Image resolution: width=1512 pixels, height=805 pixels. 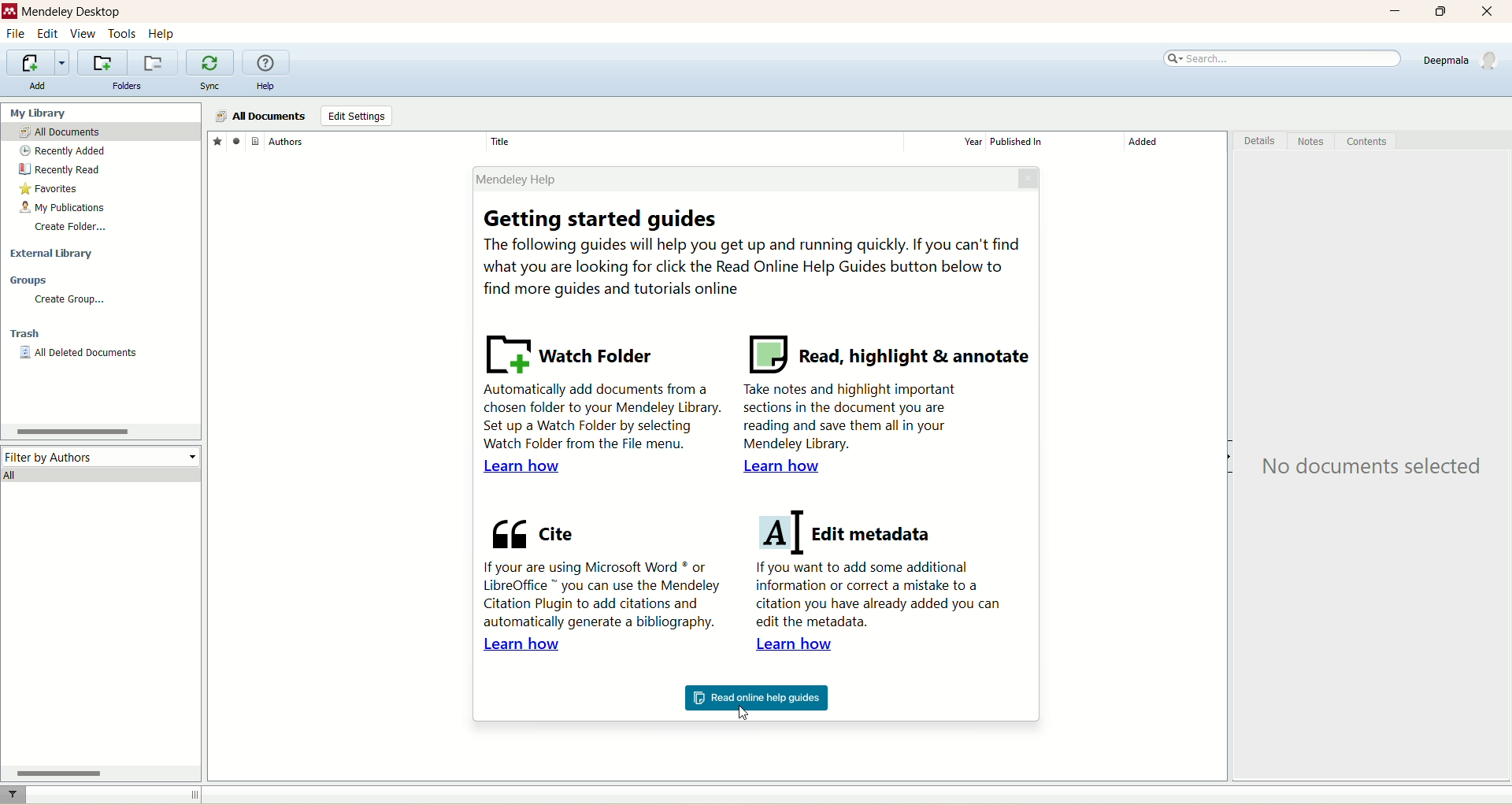 I want to click on horizontal scroll bar, so click(x=101, y=773).